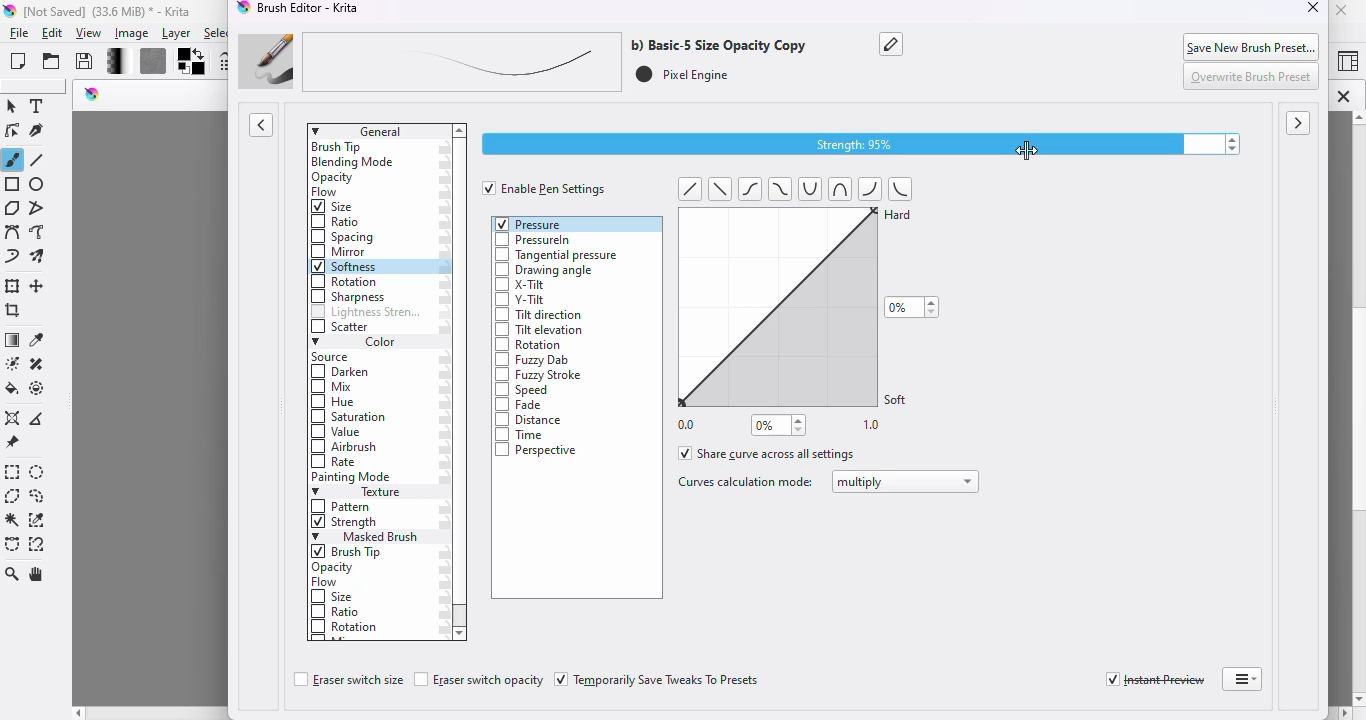 This screenshot has width=1366, height=720. Describe the element at coordinates (39, 106) in the screenshot. I see `text tool` at that location.